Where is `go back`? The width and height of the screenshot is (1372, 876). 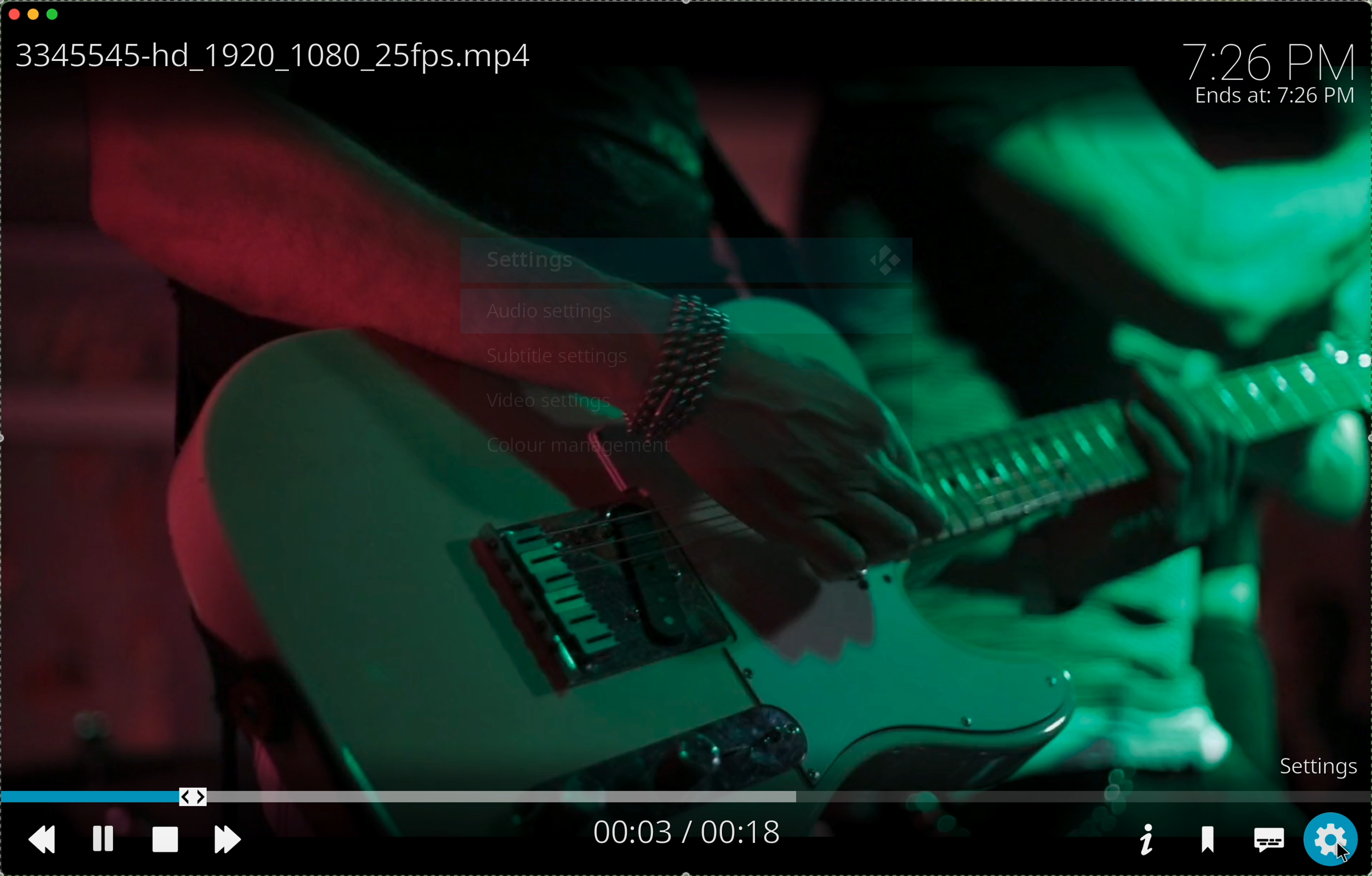
go back is located at coordinates (34, 839).